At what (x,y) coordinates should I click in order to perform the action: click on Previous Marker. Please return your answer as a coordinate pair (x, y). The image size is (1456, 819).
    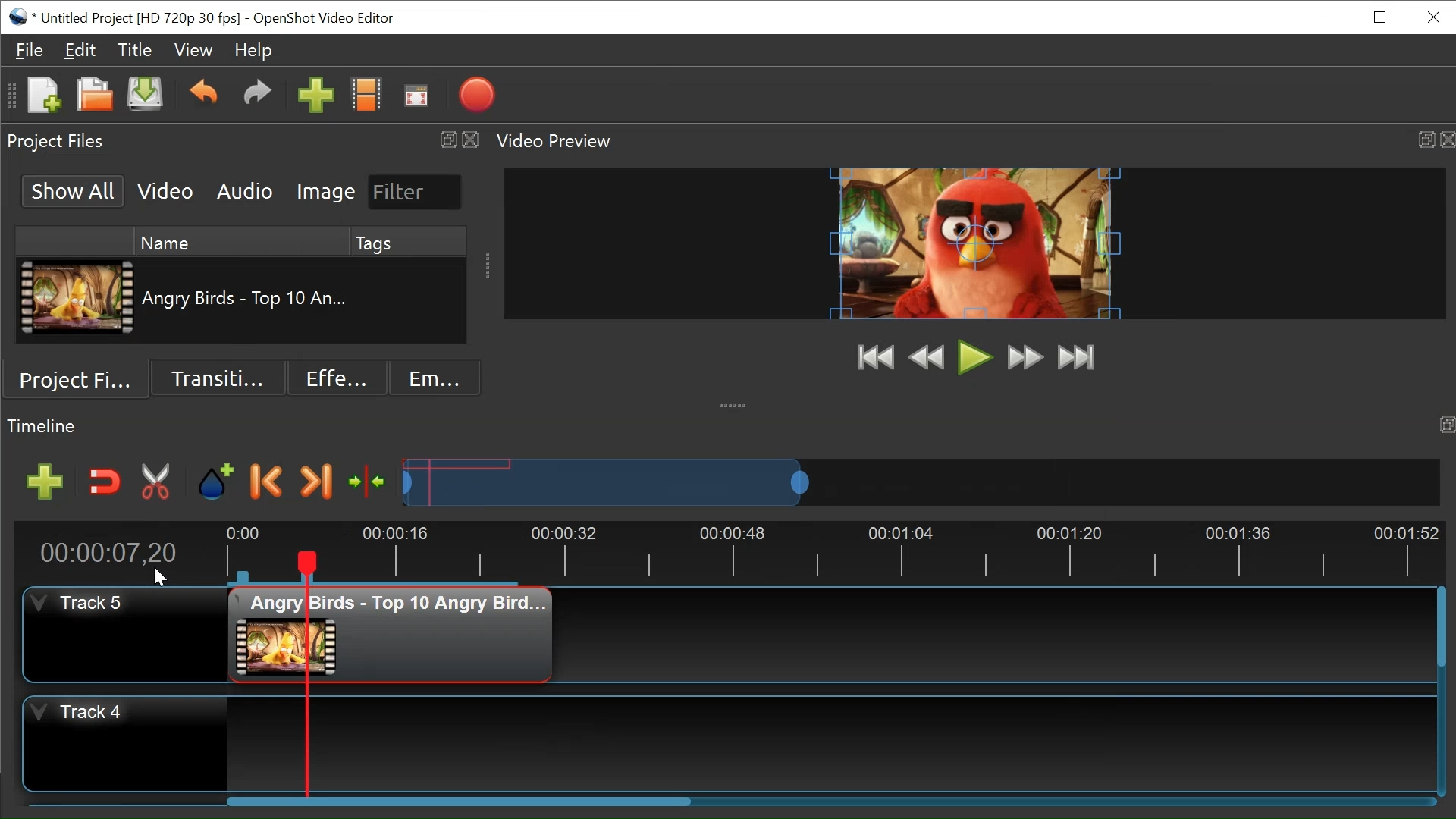
    Looking at the image, I should click on (265, 482).